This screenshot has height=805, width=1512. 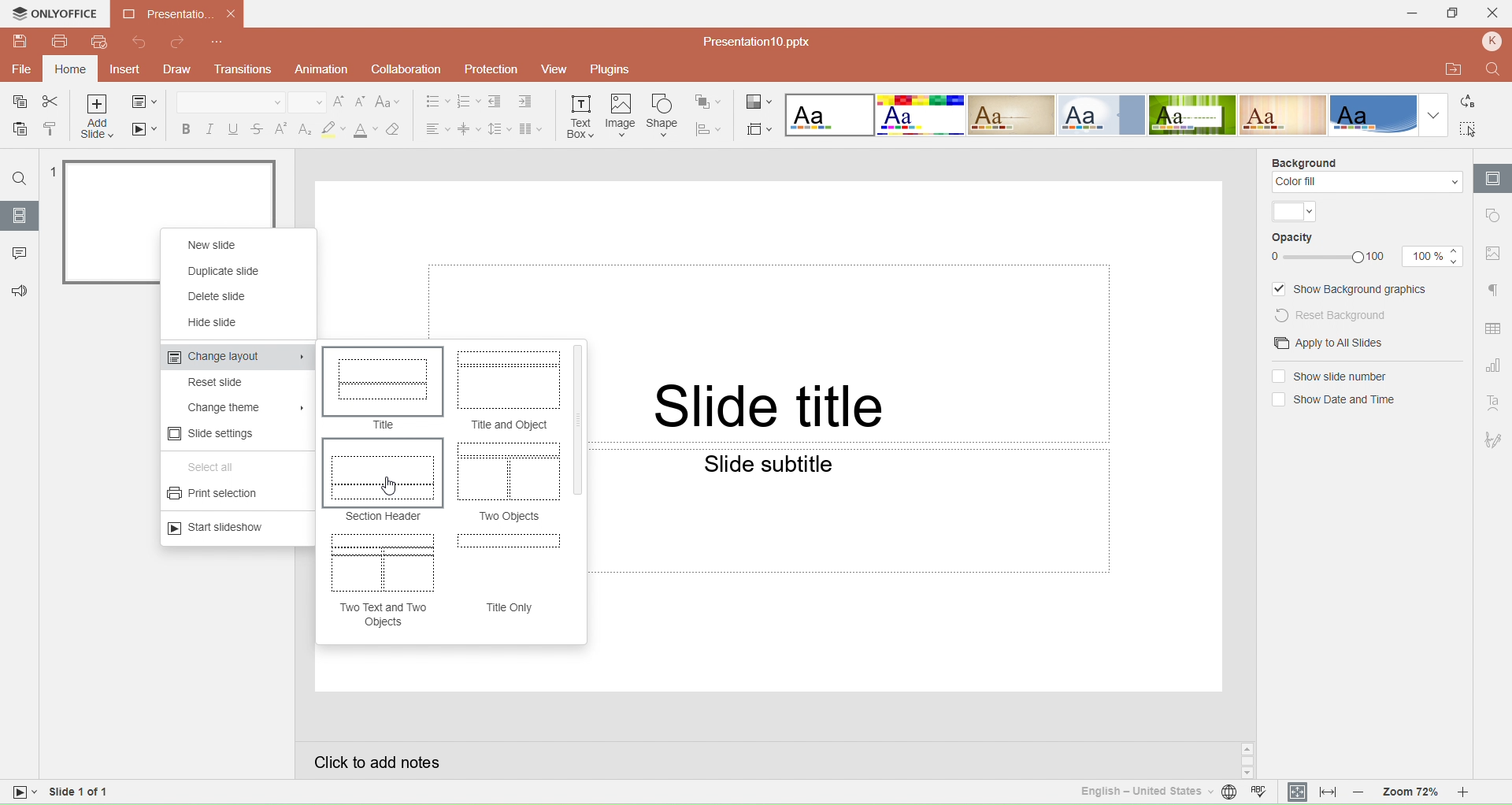 What do you see at coordinates (304, 102) in the screenshot?
I see `Font size` at bounding box center [304, 102].